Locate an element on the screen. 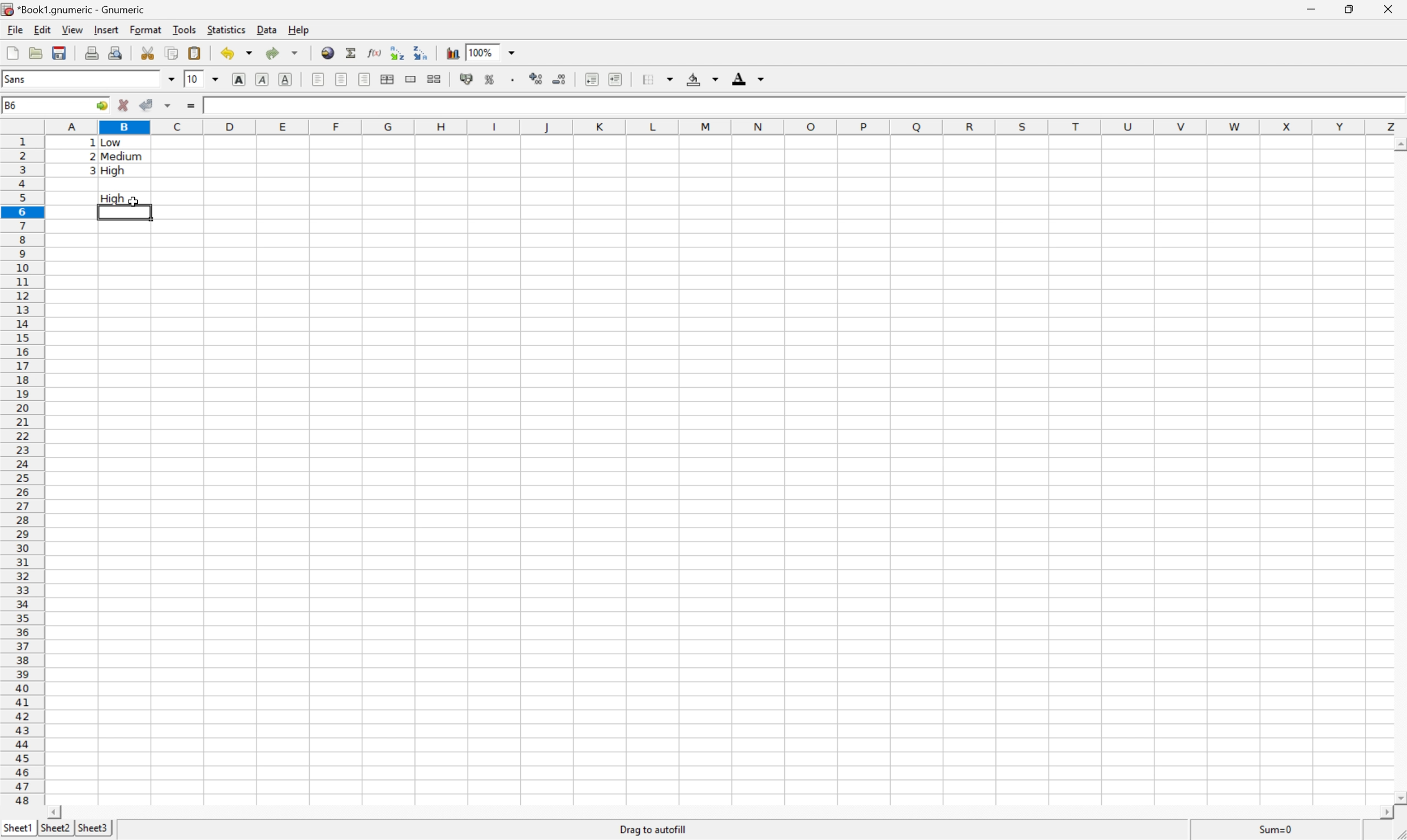 This screenshot has height=840, width=1407. Save current workbook is located at coordinates (60, 53).